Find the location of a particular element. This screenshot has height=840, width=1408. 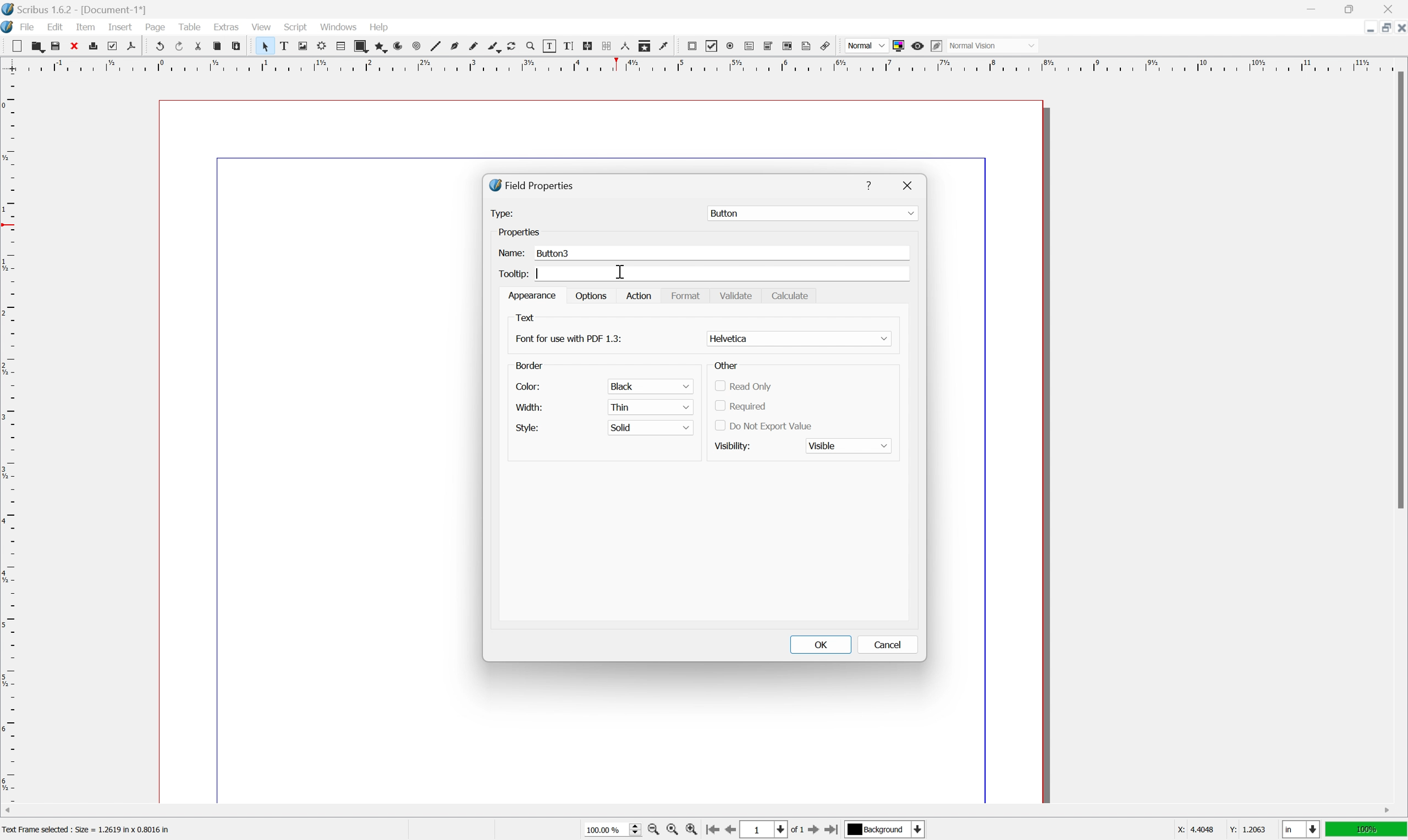

select current unit is located at coordinates (1301, 830).